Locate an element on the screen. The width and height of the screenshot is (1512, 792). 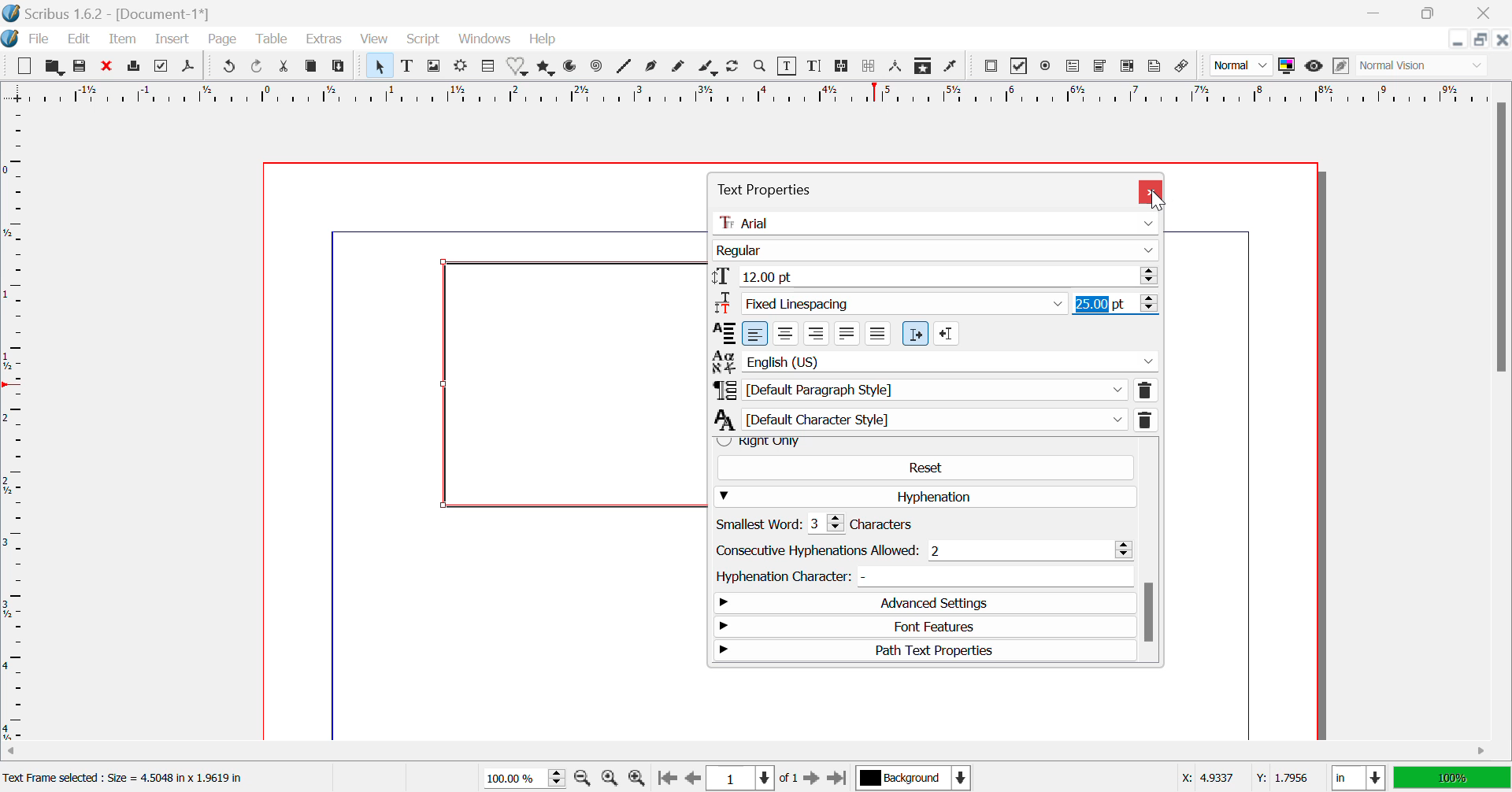
Default Character Style is located at coordinates (936, 419).